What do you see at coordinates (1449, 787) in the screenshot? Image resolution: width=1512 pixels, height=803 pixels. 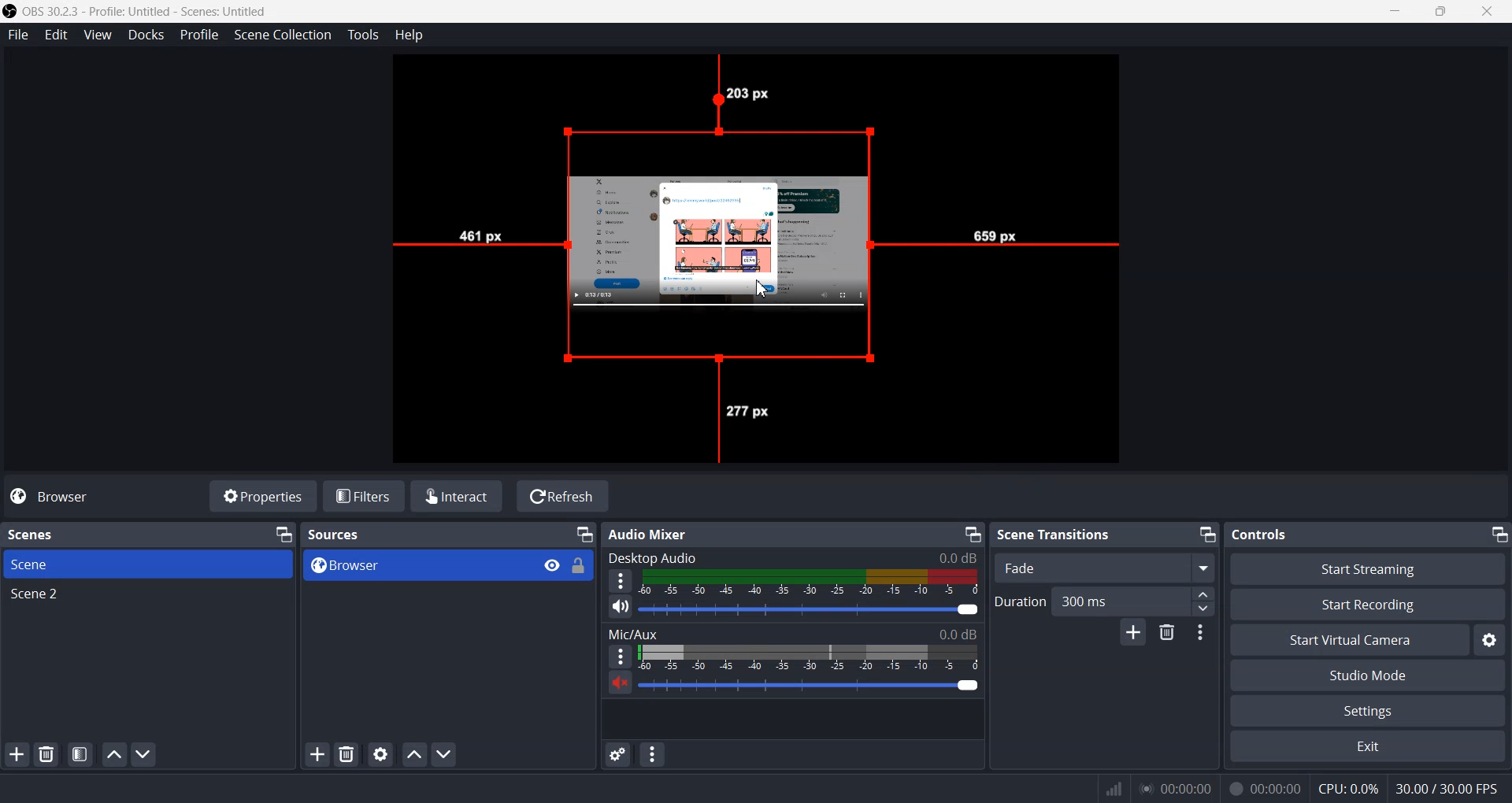 I see `30.00/30.00 FPs` at bounding box center [1449, 787].